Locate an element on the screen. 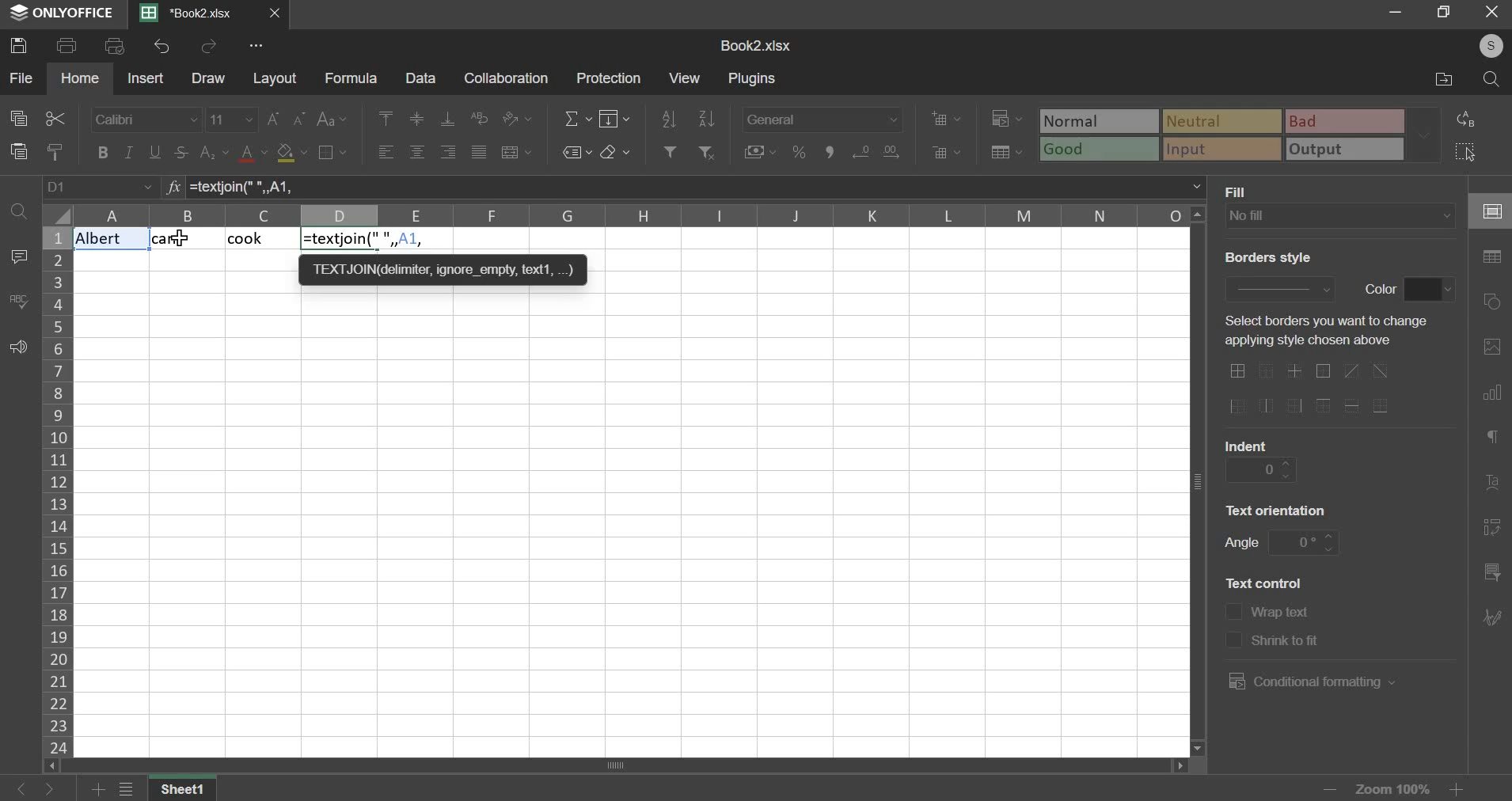  insert is located at coordinates (145, 78).